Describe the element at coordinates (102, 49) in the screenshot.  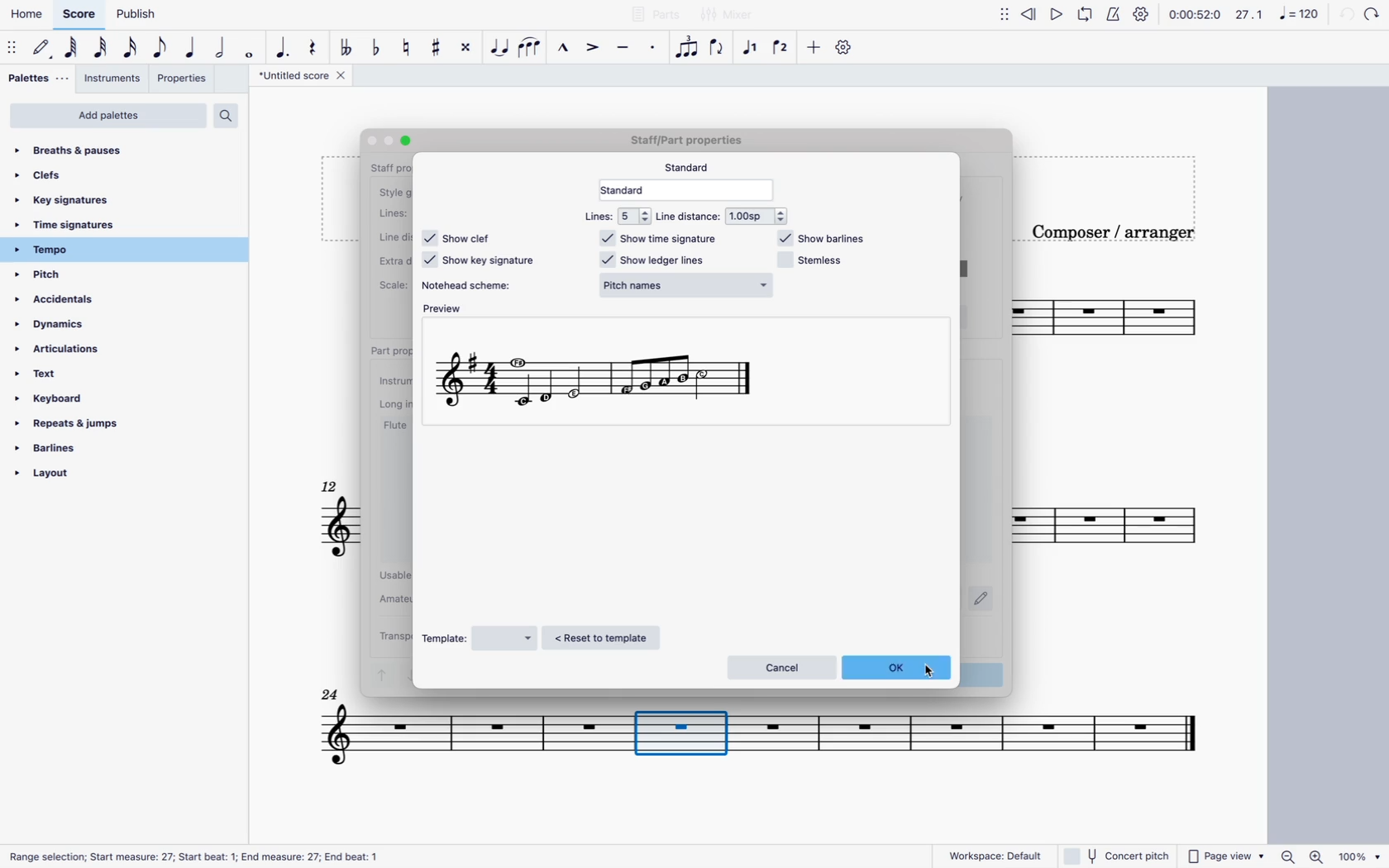
I see `32nd note` at that location.